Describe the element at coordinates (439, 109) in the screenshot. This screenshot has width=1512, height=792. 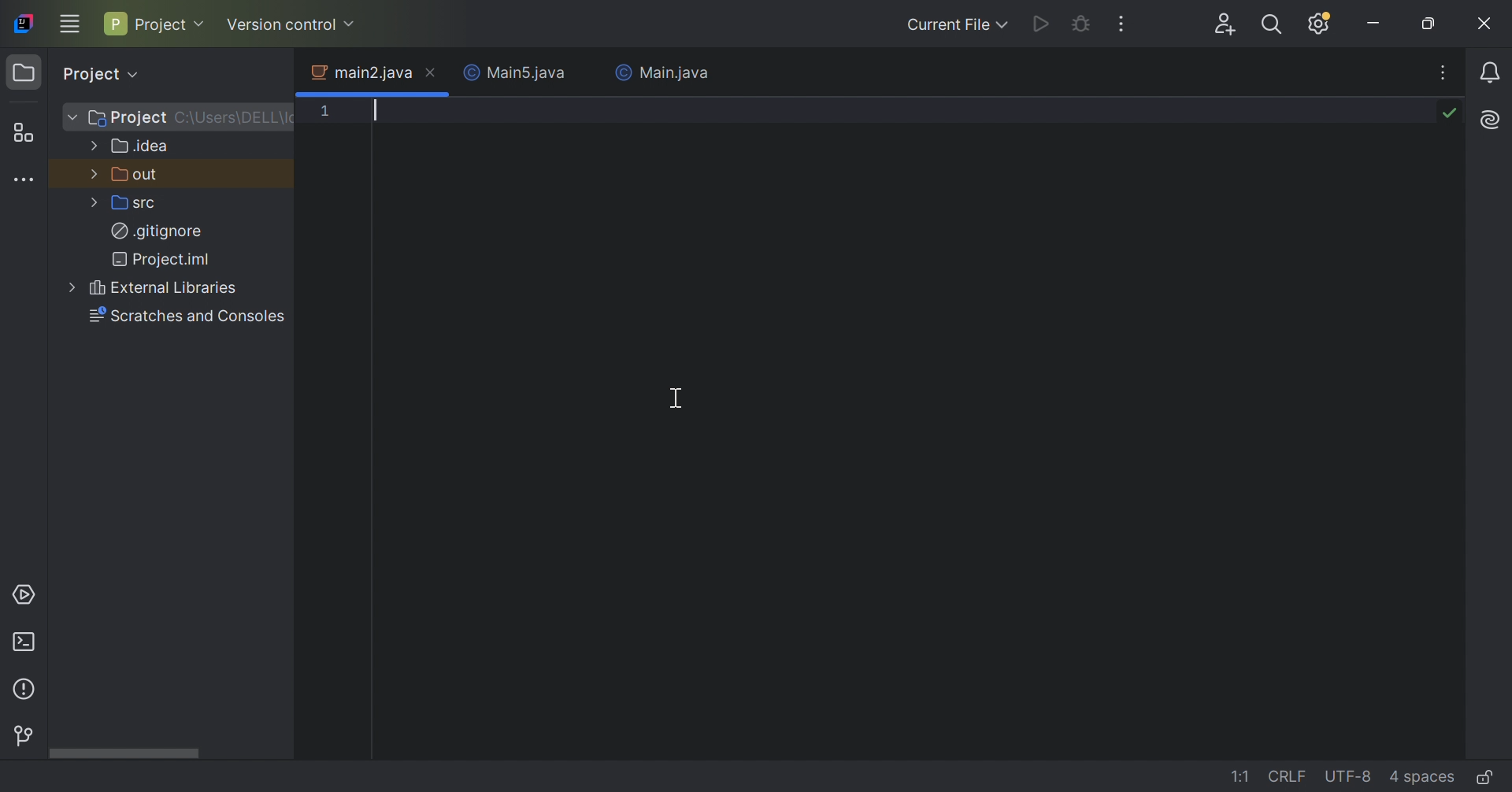
I see `Start line for code` at that location.